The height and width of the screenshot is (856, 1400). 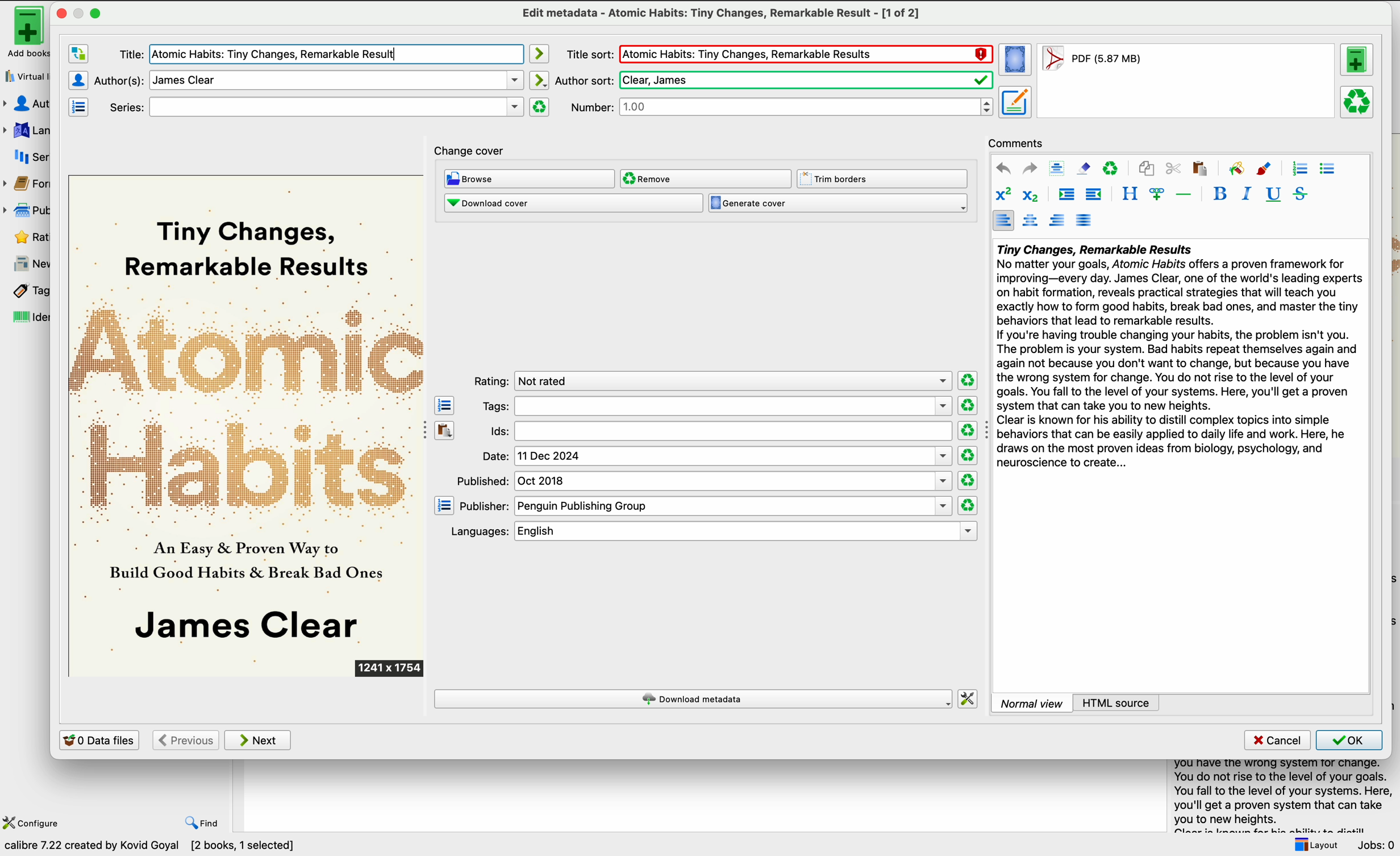 I want to click on manage series editor, so click(x=81, y=107).